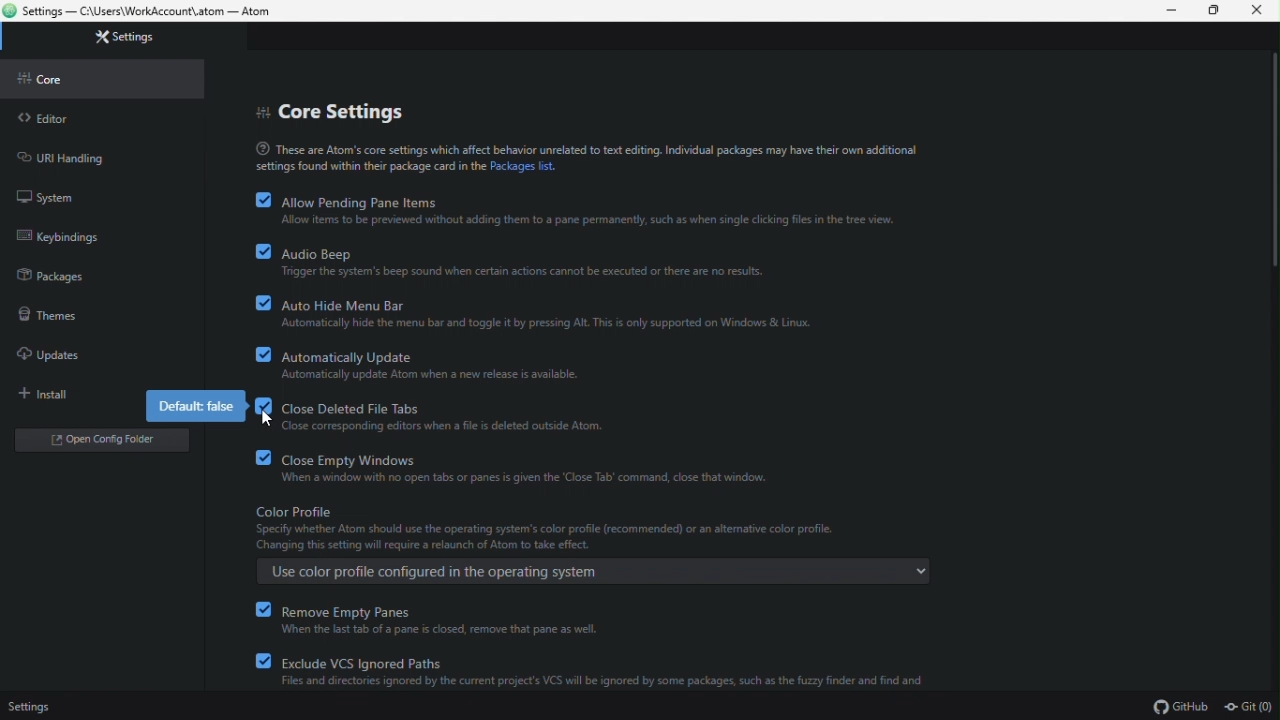 The width and height of the screenshot is (1280, 720). Describe the element at coordinates (443, 418) in the screenshot. I see `close deleted file tabs` at that location.